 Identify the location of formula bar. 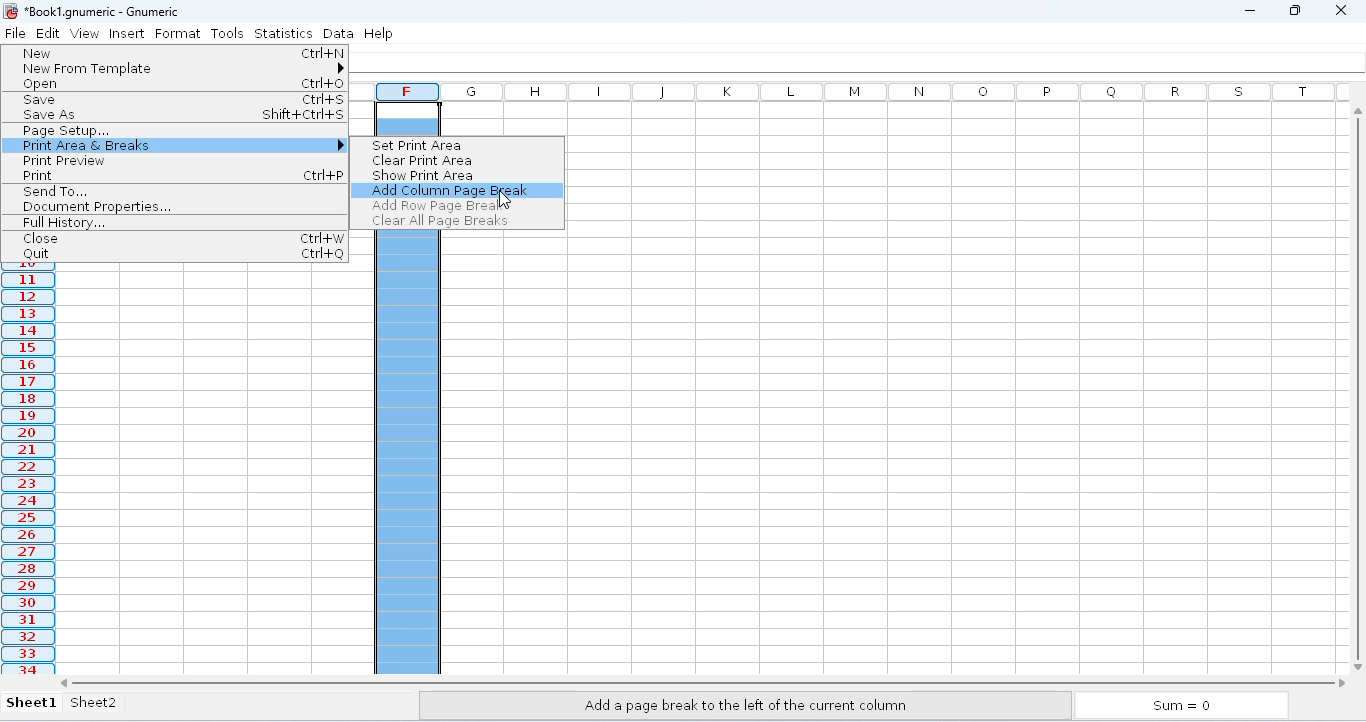
(863, 62).